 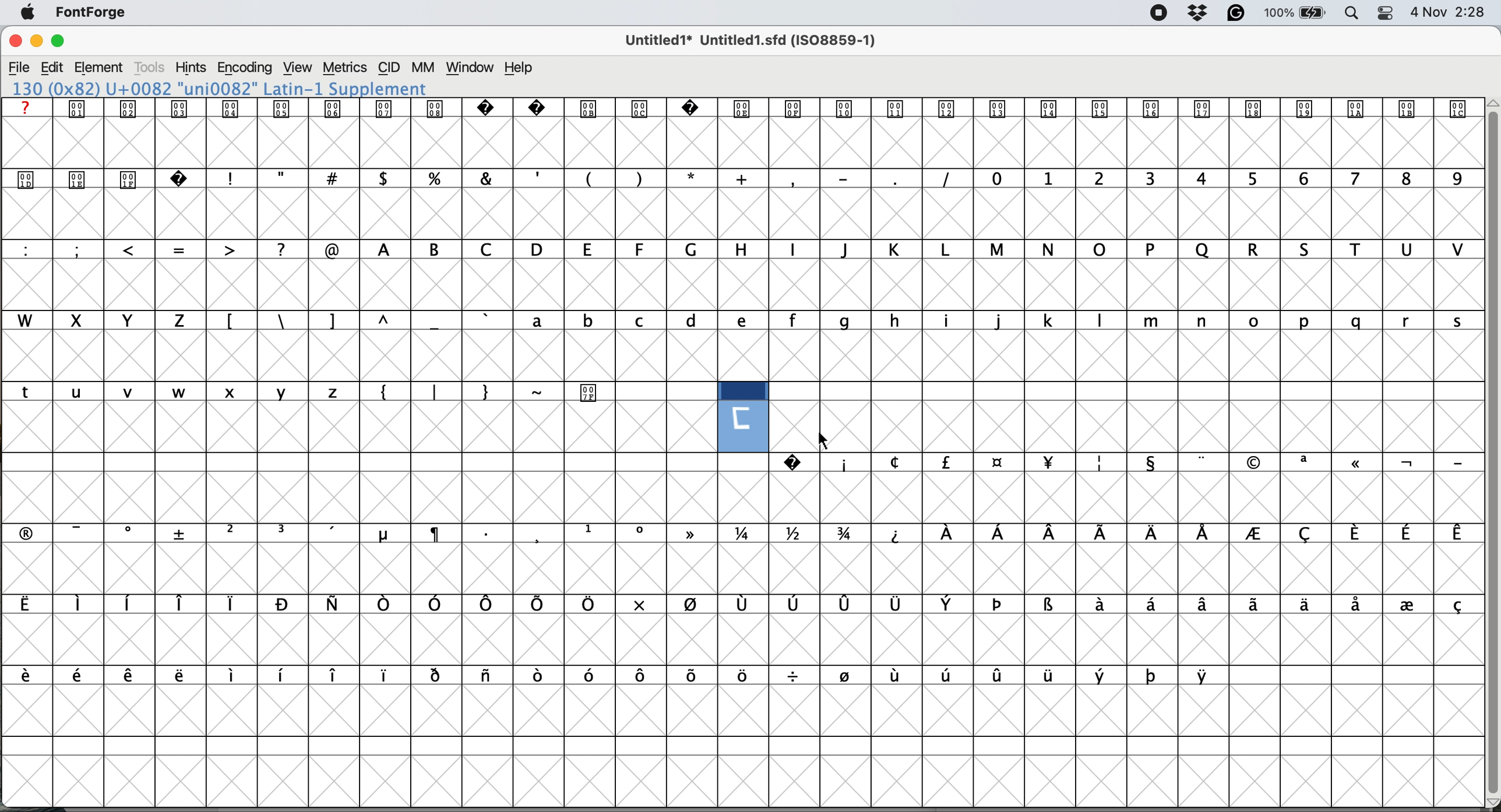 I want to click on battery, so click(x=1294, y=13).